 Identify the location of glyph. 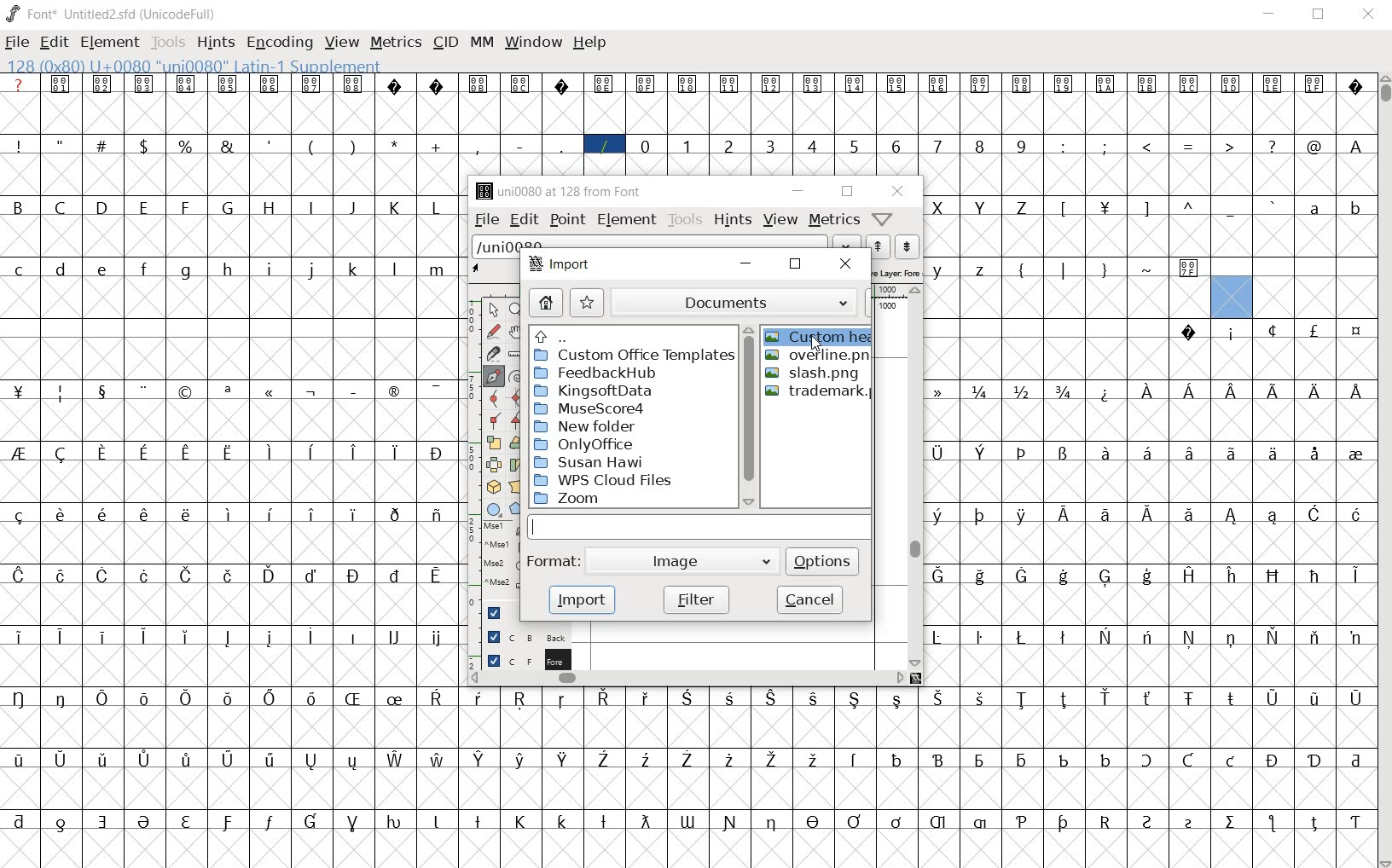
(687, 84).